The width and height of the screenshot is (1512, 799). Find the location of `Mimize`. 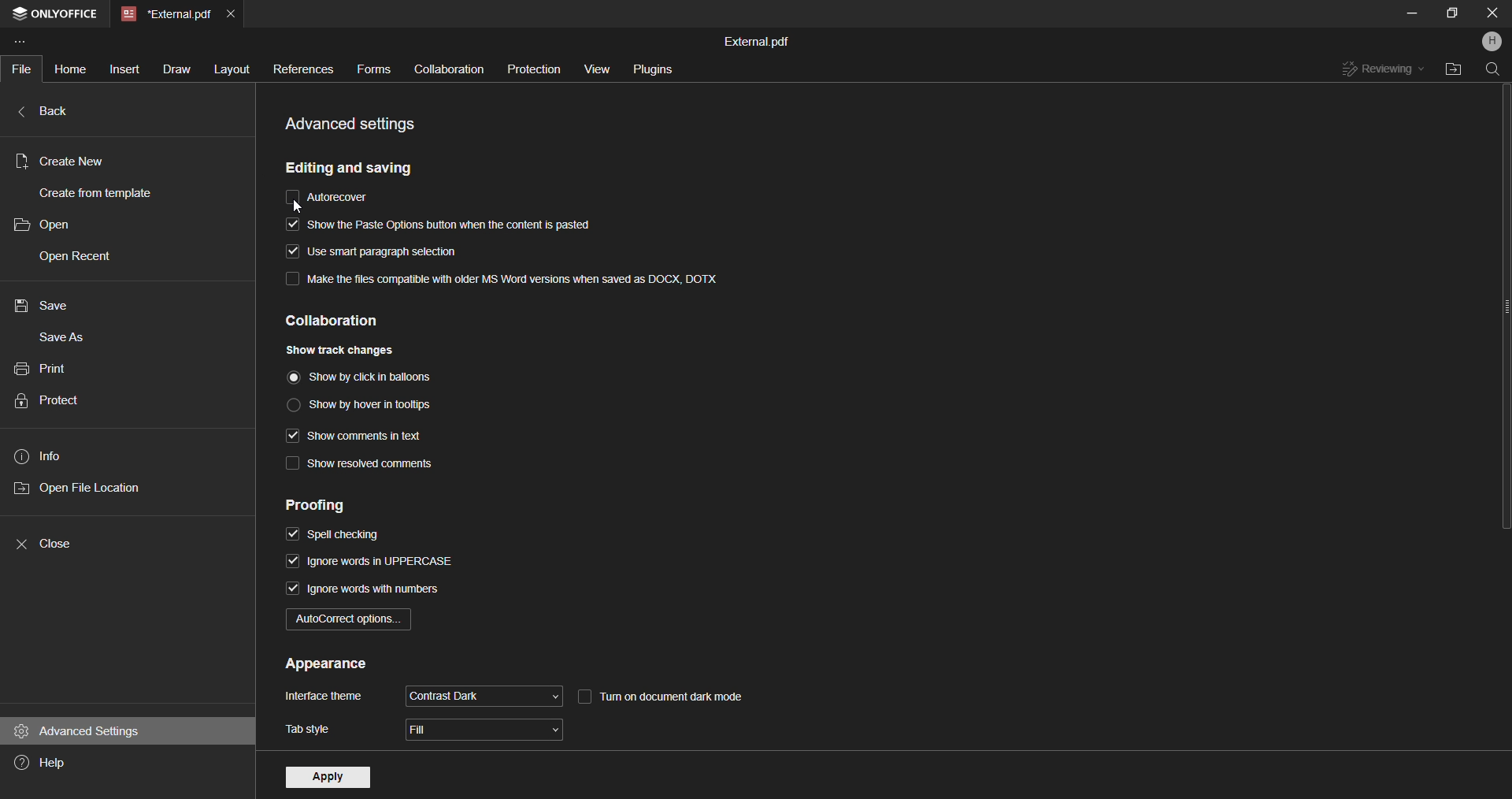

Mimize is located at coordinates (1412, 13).